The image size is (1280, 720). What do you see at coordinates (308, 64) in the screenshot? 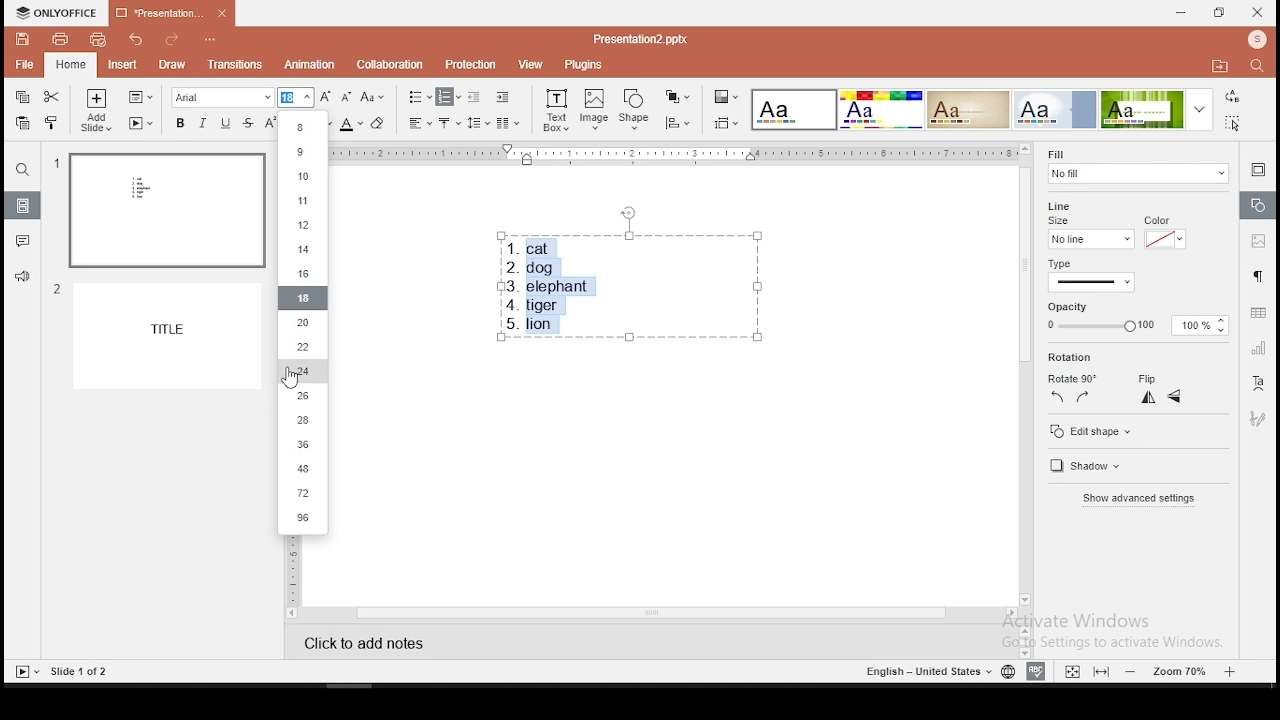
I see `animation` at bounding box center [308, 64].